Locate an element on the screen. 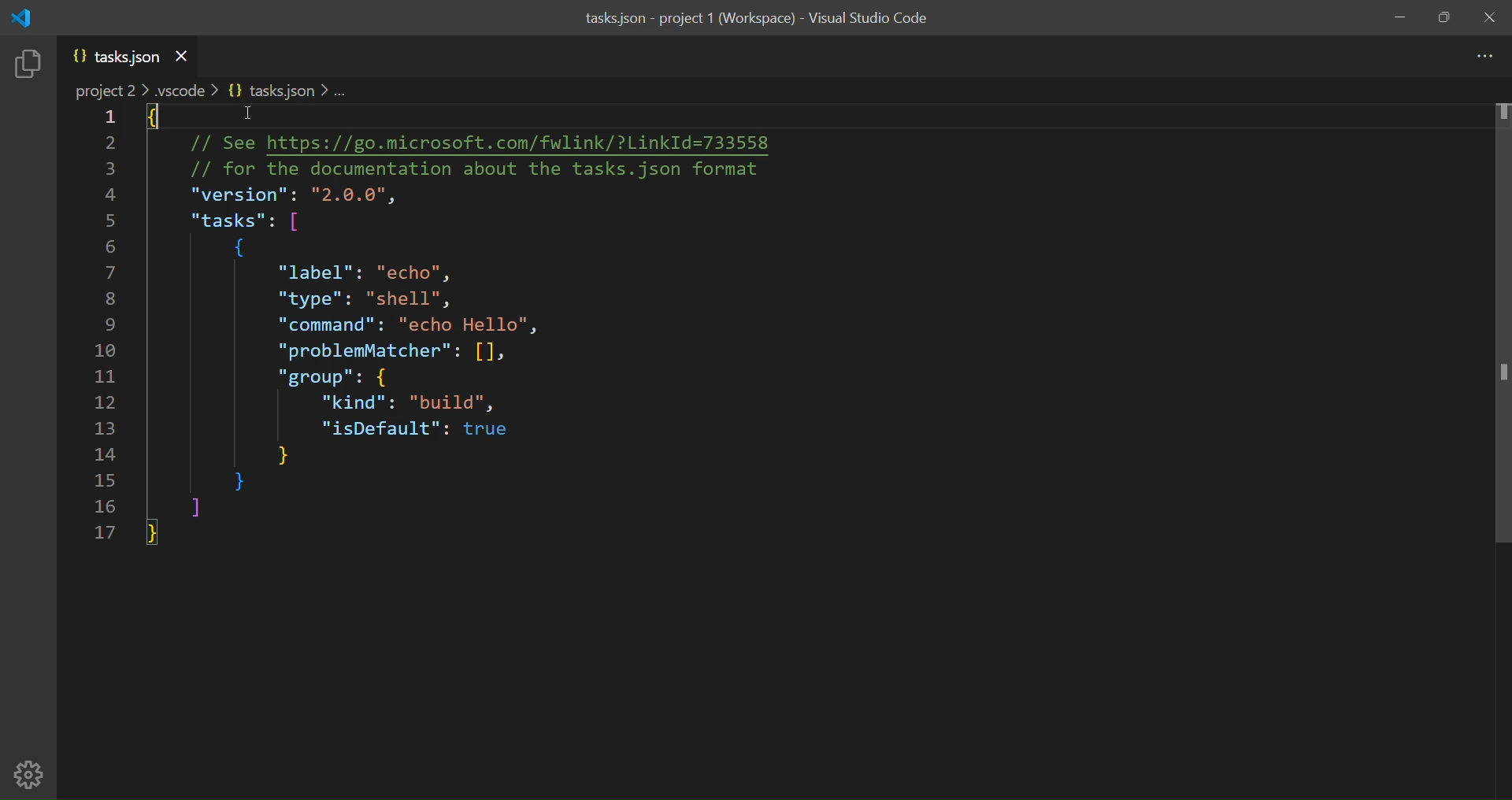 The image size is (1512, 800). scroll bar is located at coordinates (1497, 328).